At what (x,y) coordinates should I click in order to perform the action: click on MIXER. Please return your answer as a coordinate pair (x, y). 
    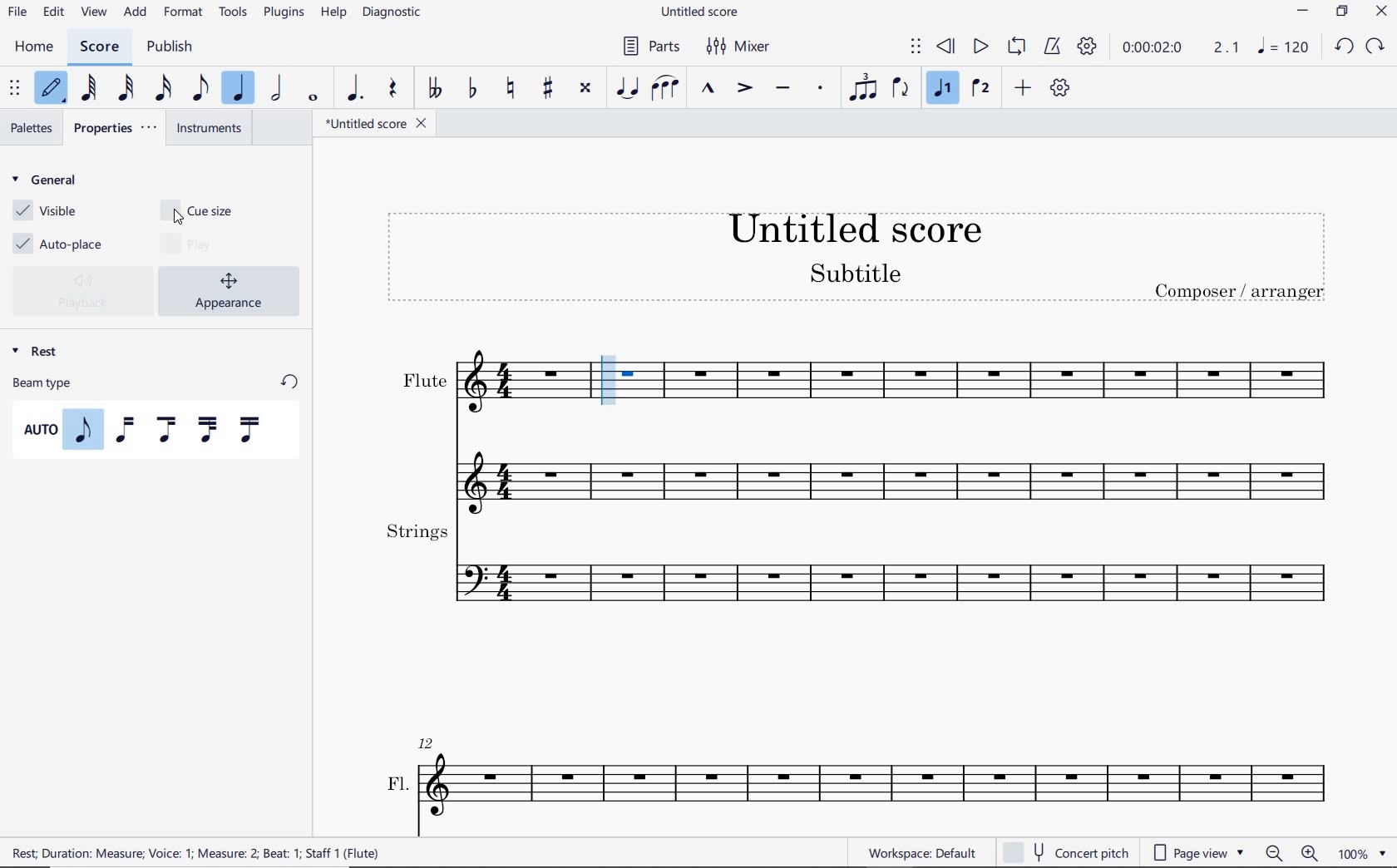
    Looking at the image, I should click on (740, 47).